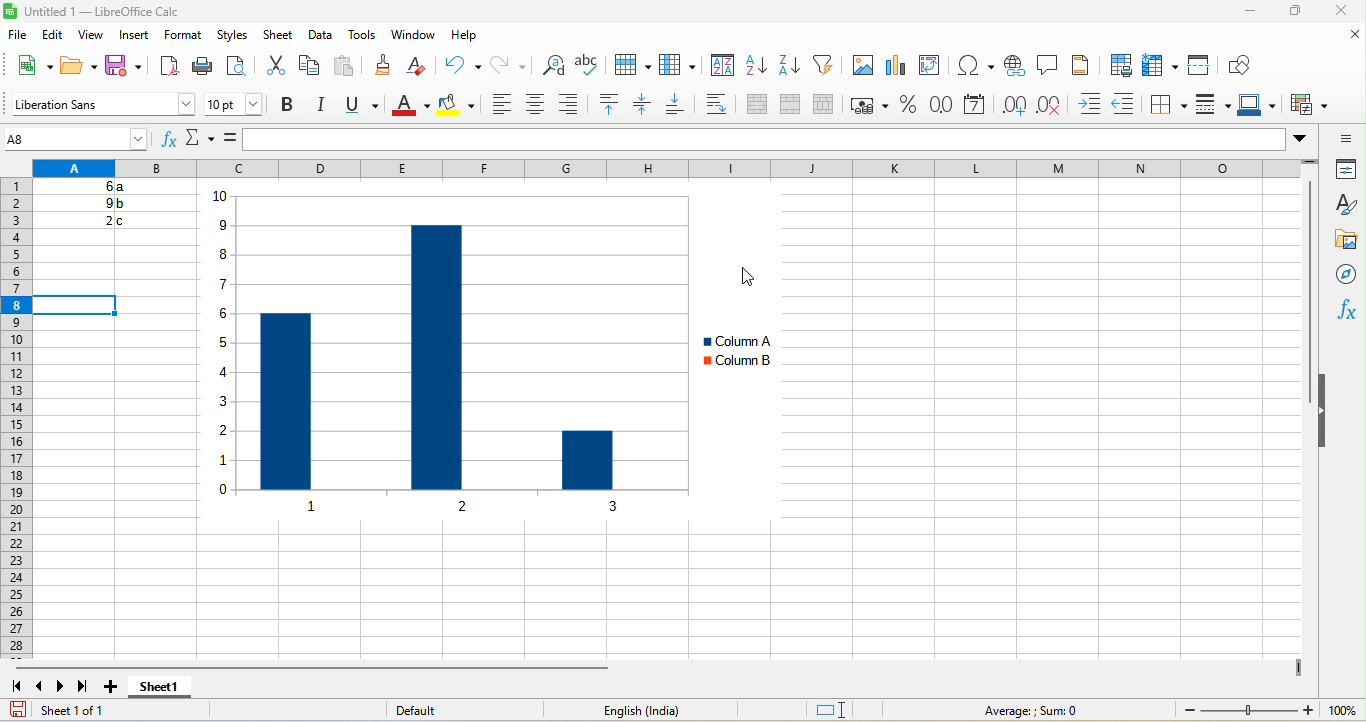  I want to click on merge cells, so click(791, 107).